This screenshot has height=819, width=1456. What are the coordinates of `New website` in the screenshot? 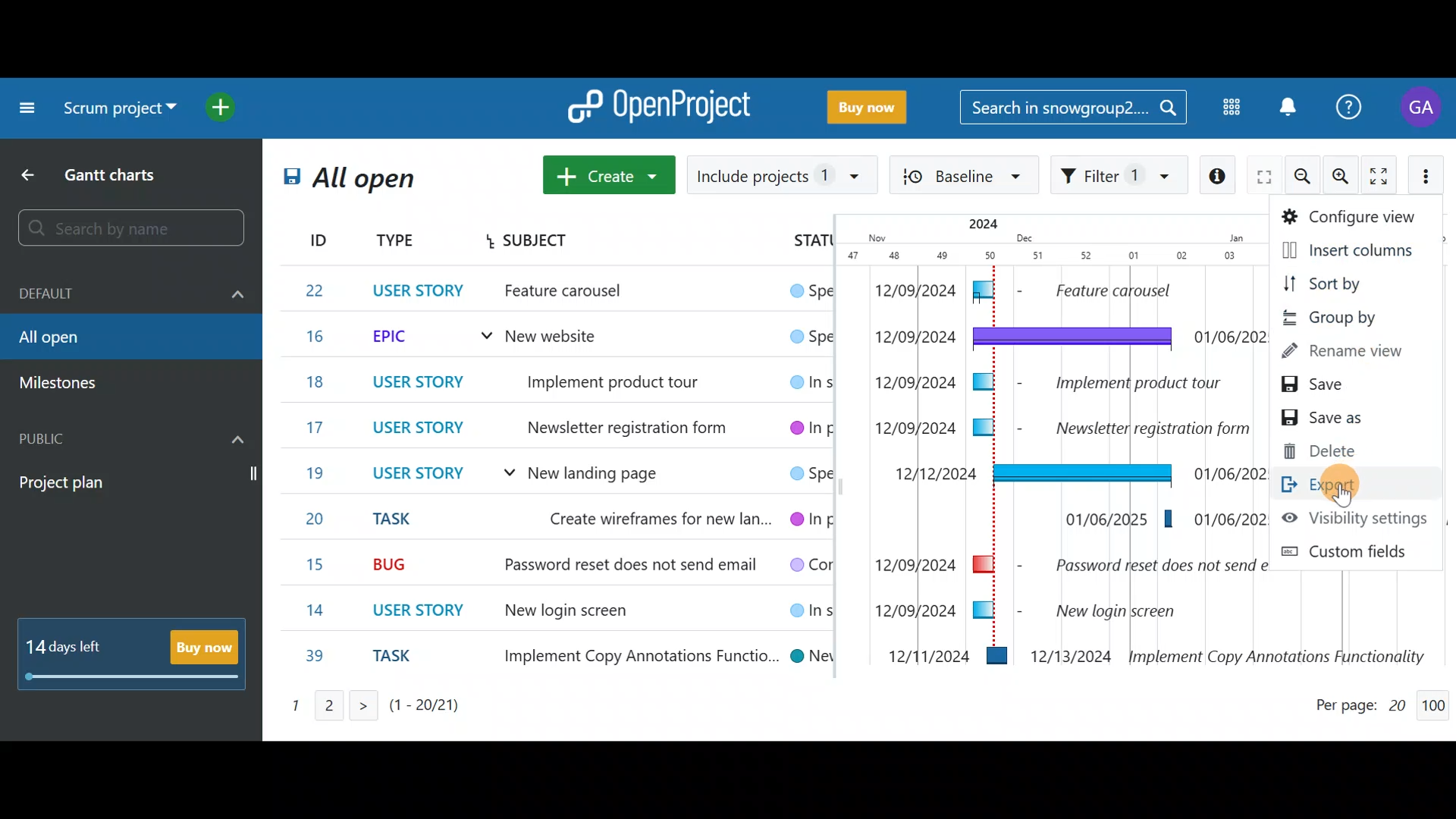 It's located at (551, 339).